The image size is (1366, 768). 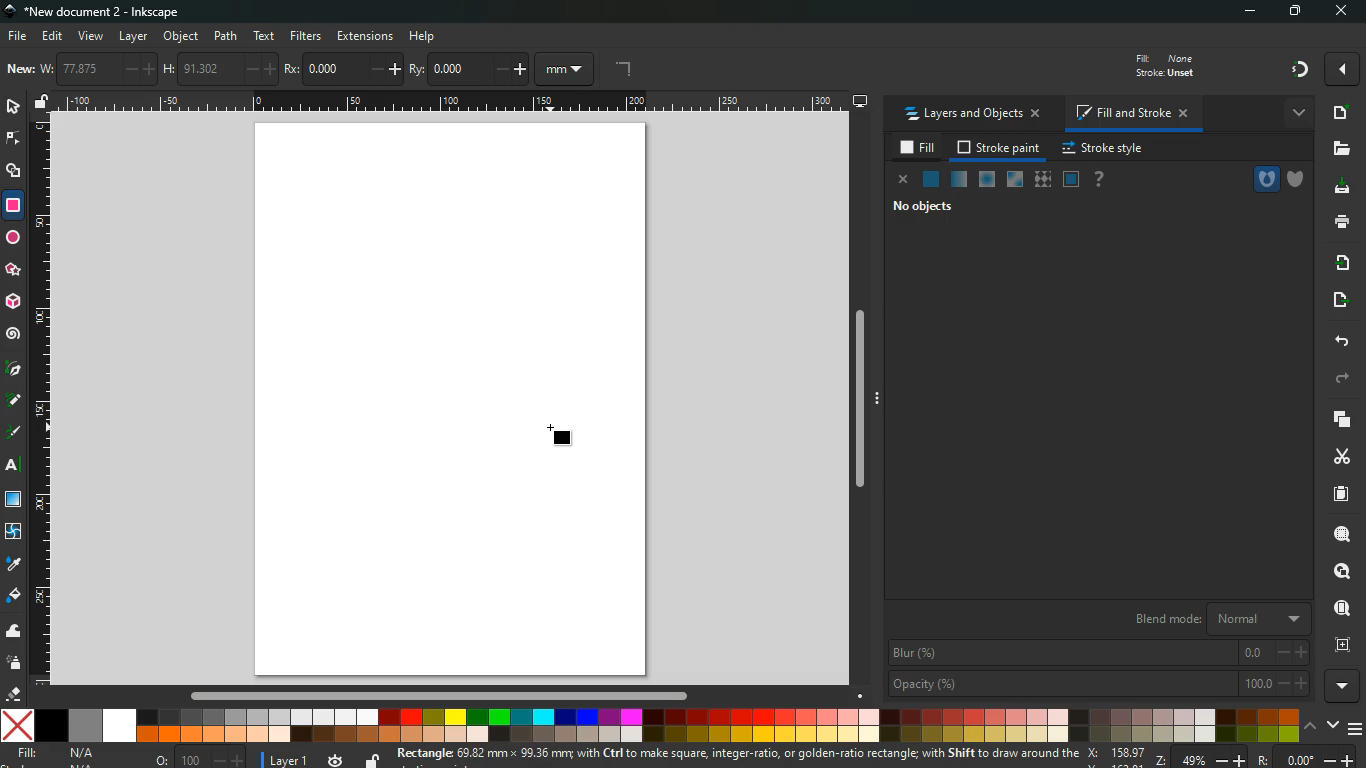 I want to click on inkscape, so click(x=111, y=11).